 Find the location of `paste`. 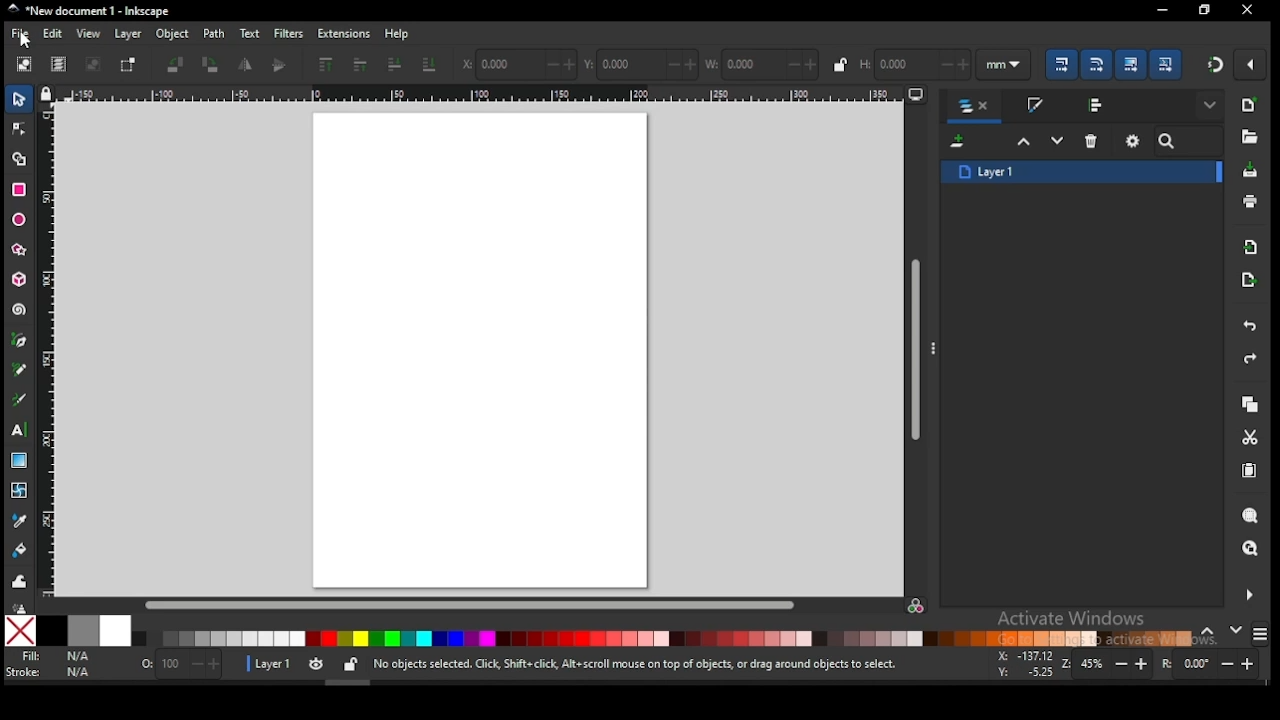

paste is located at coordinates (1253, 473).